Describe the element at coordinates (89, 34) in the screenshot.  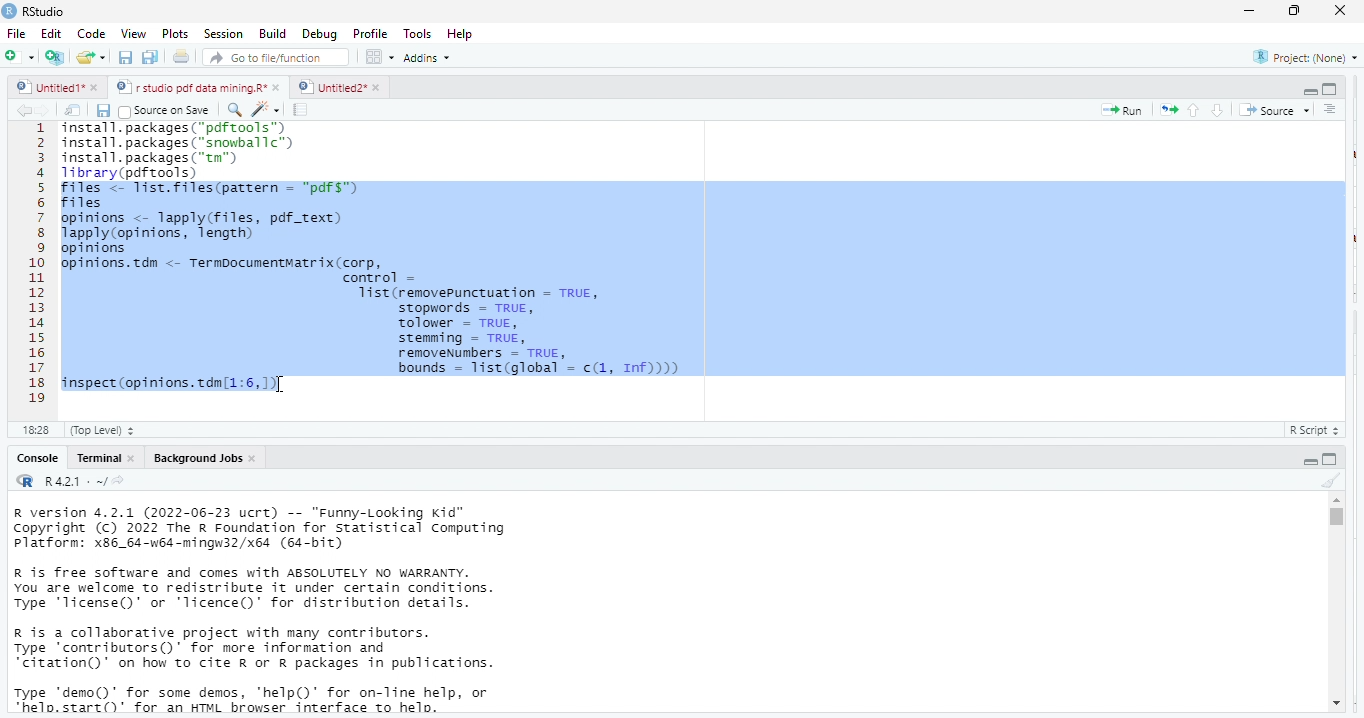
I see `code` at that location.